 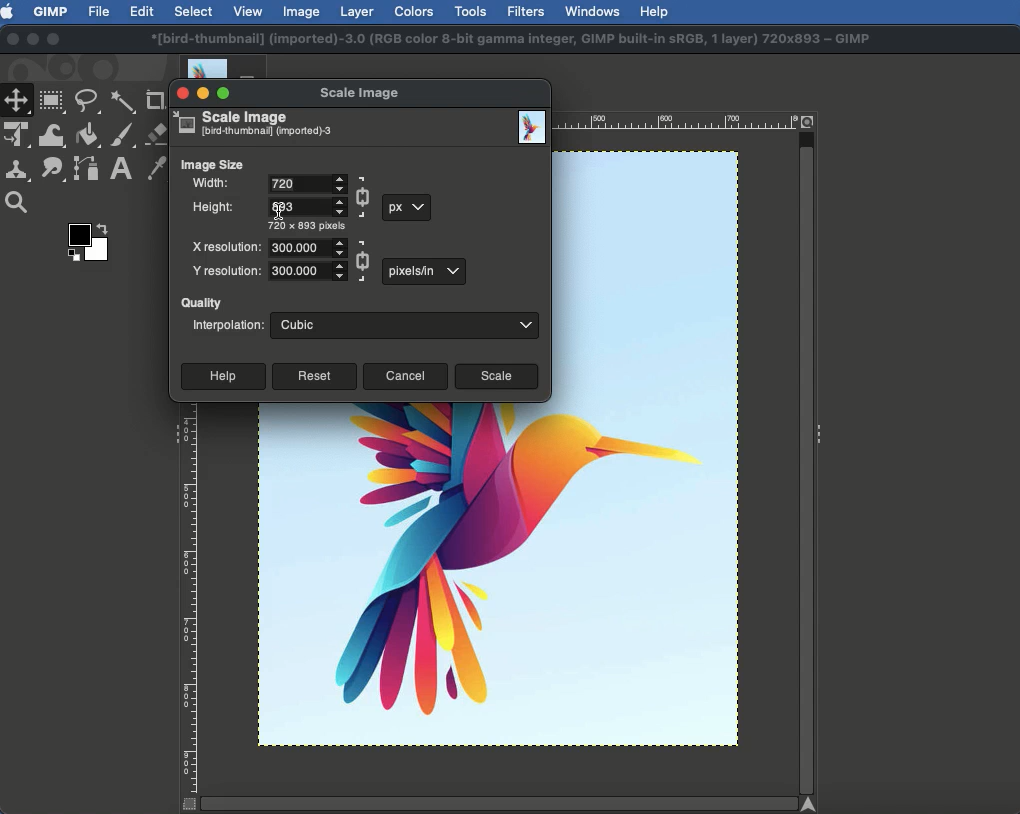 What do you see at coordinates (224, 95) in the screenshot?
I see `Maximize` at bounding box center [224, 95].